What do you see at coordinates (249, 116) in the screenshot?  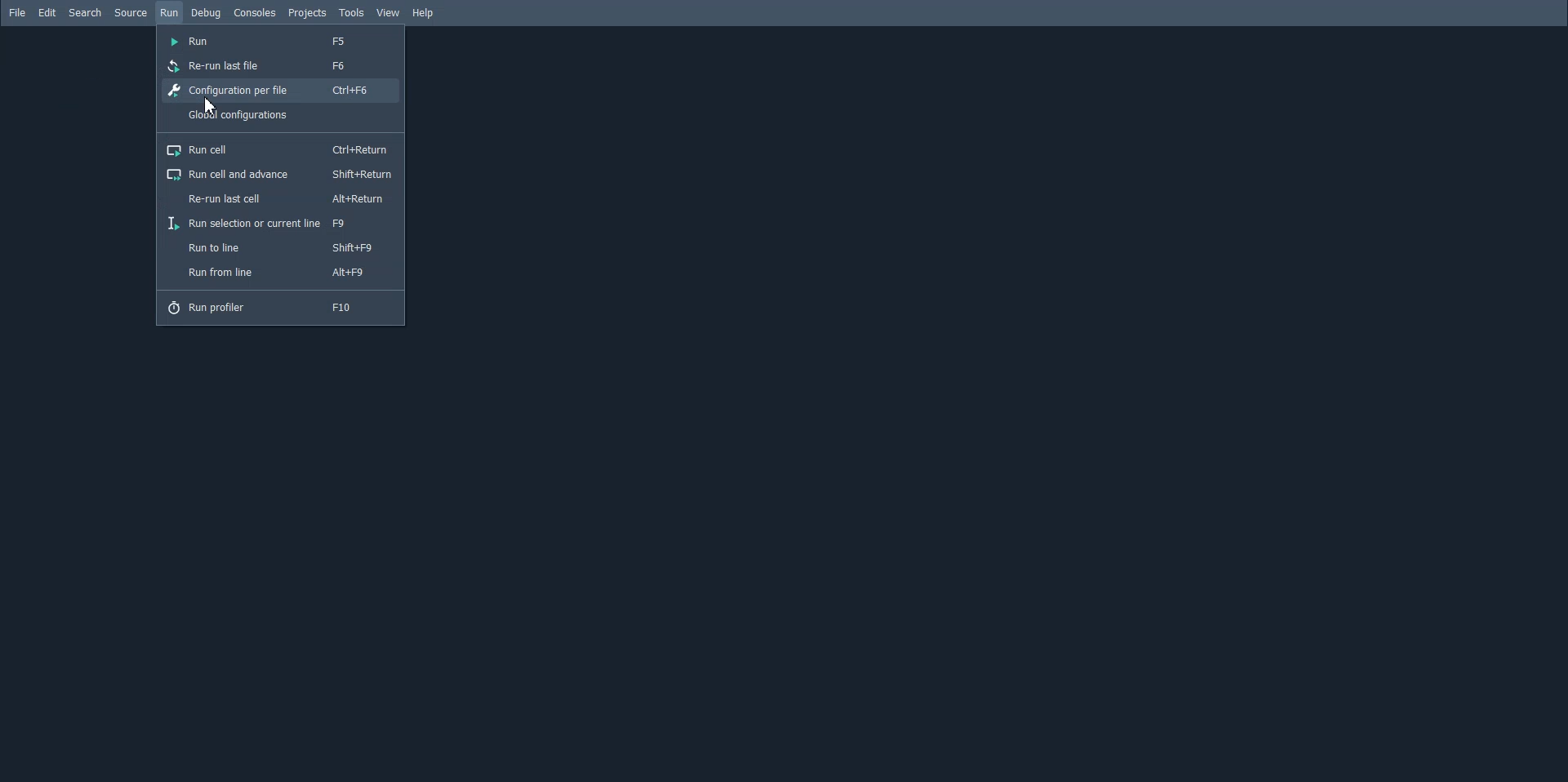 I see `Global configuration` at bounding box center [249, 116].